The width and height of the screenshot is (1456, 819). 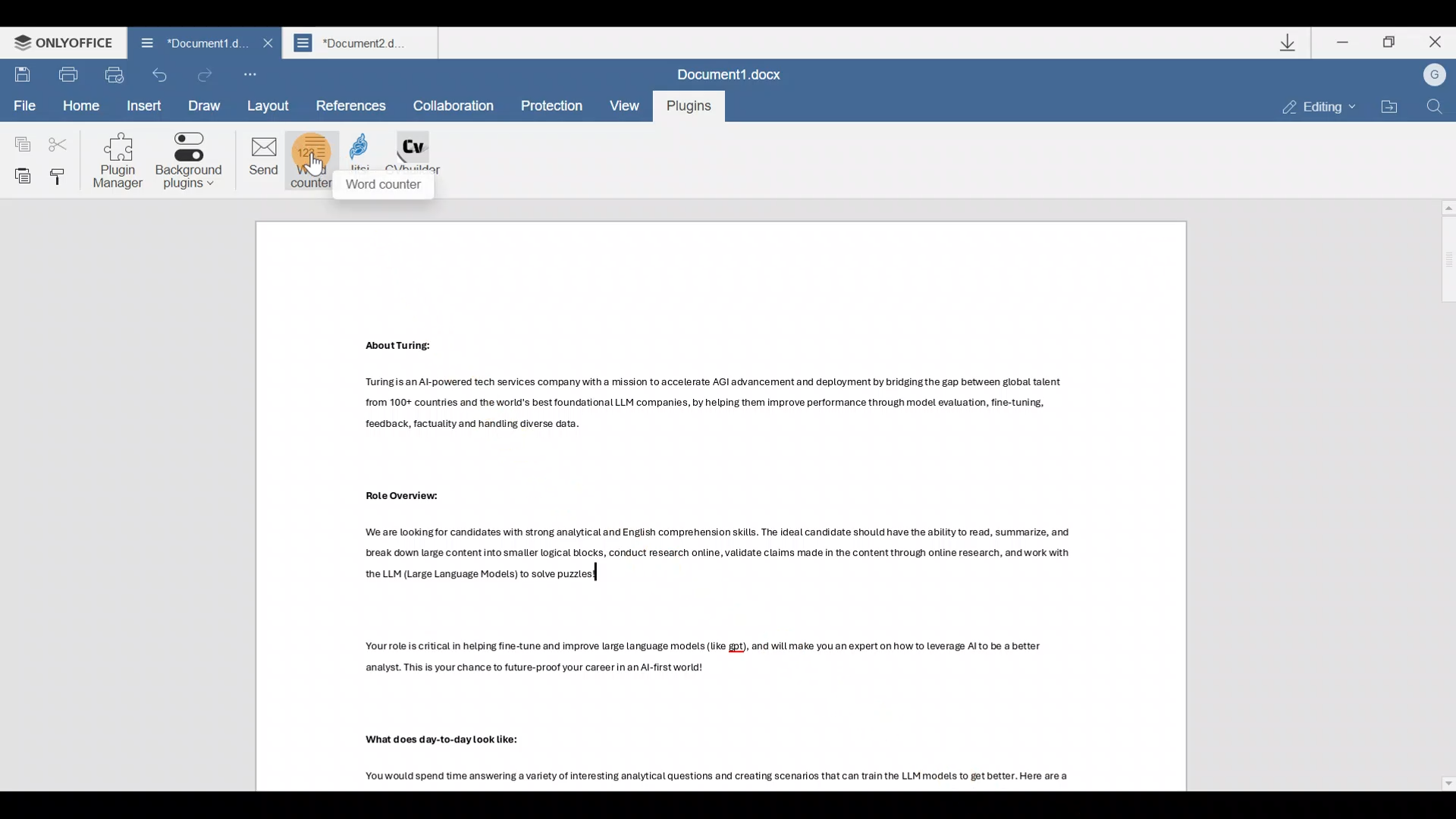 What do you see at coordinates (206, 106) in the screenshot?
I see `Draw` at bounding box center [206, 106].